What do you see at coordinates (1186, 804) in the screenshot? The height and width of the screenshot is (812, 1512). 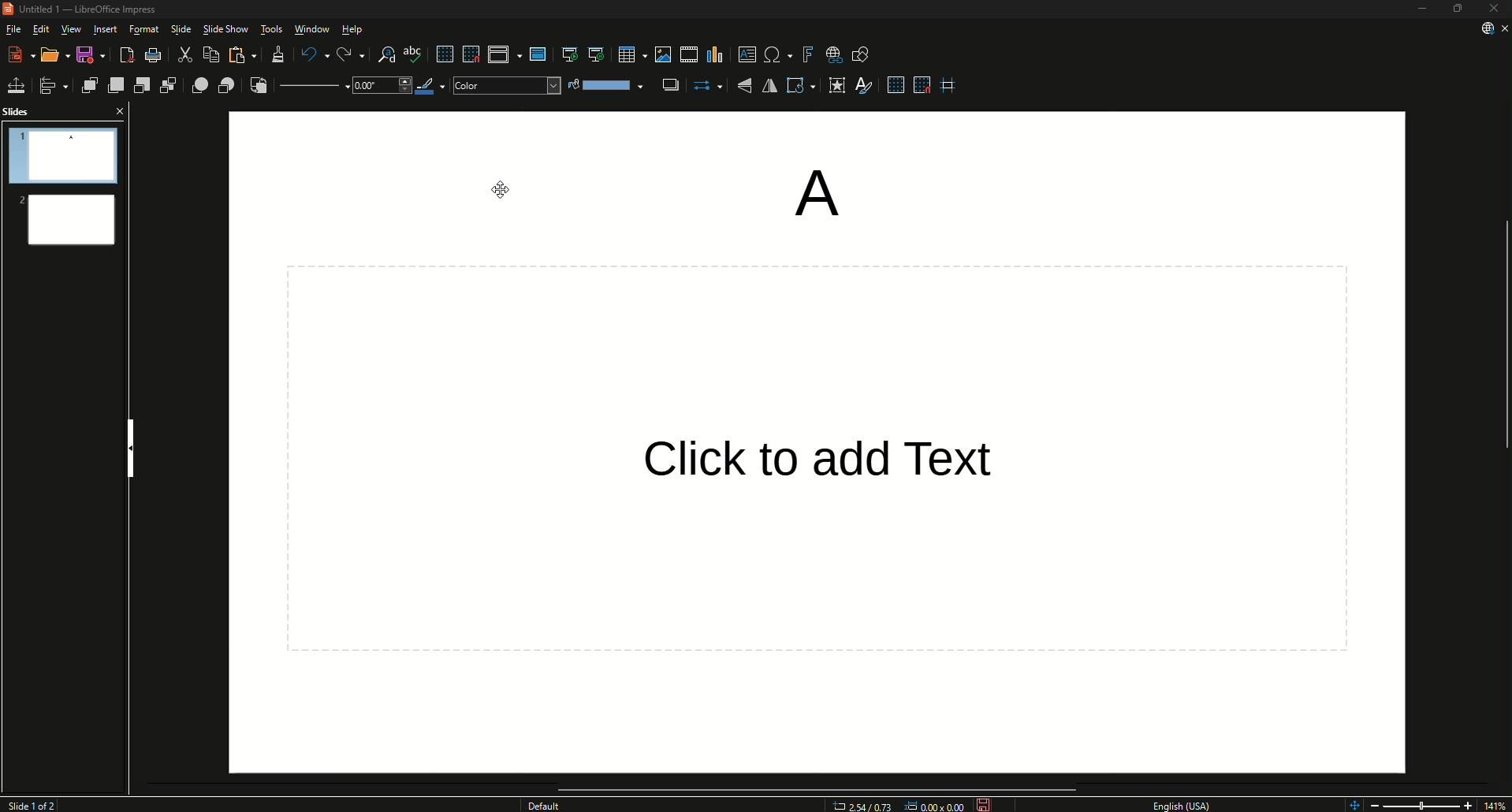 I see `English USA` at bounding box center [1186, 804].